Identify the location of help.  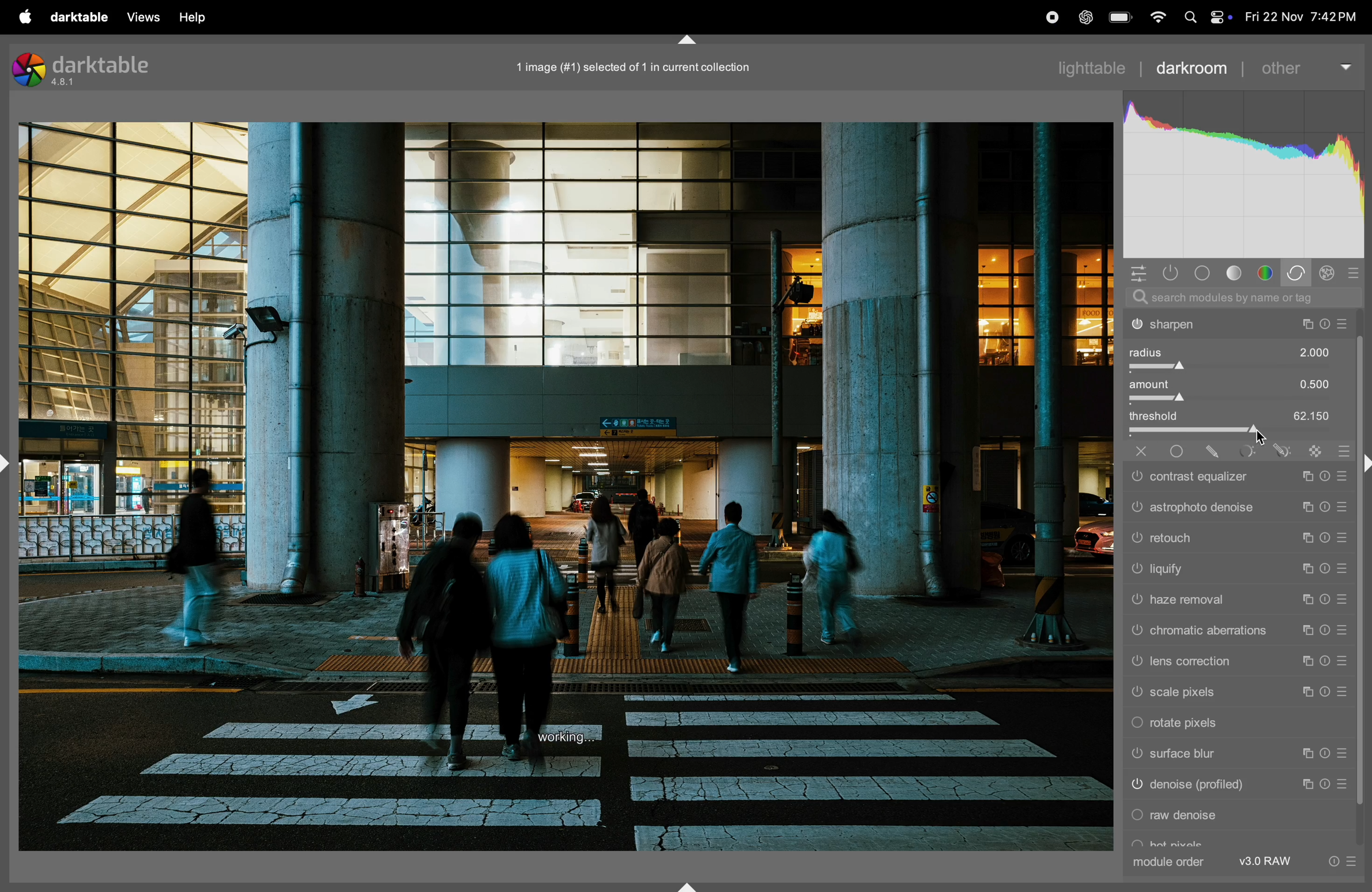
(203, 14).